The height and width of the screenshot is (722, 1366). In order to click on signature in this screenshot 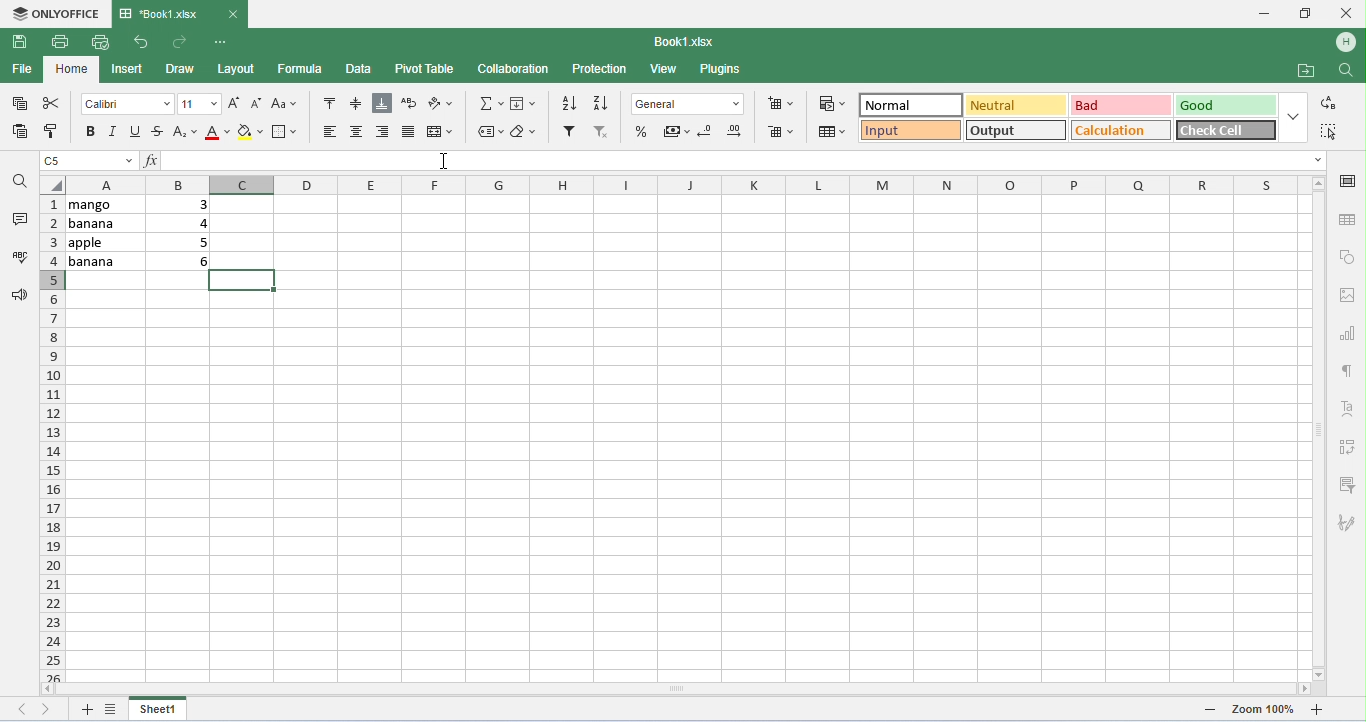, I will do `click(1346, 524)`.